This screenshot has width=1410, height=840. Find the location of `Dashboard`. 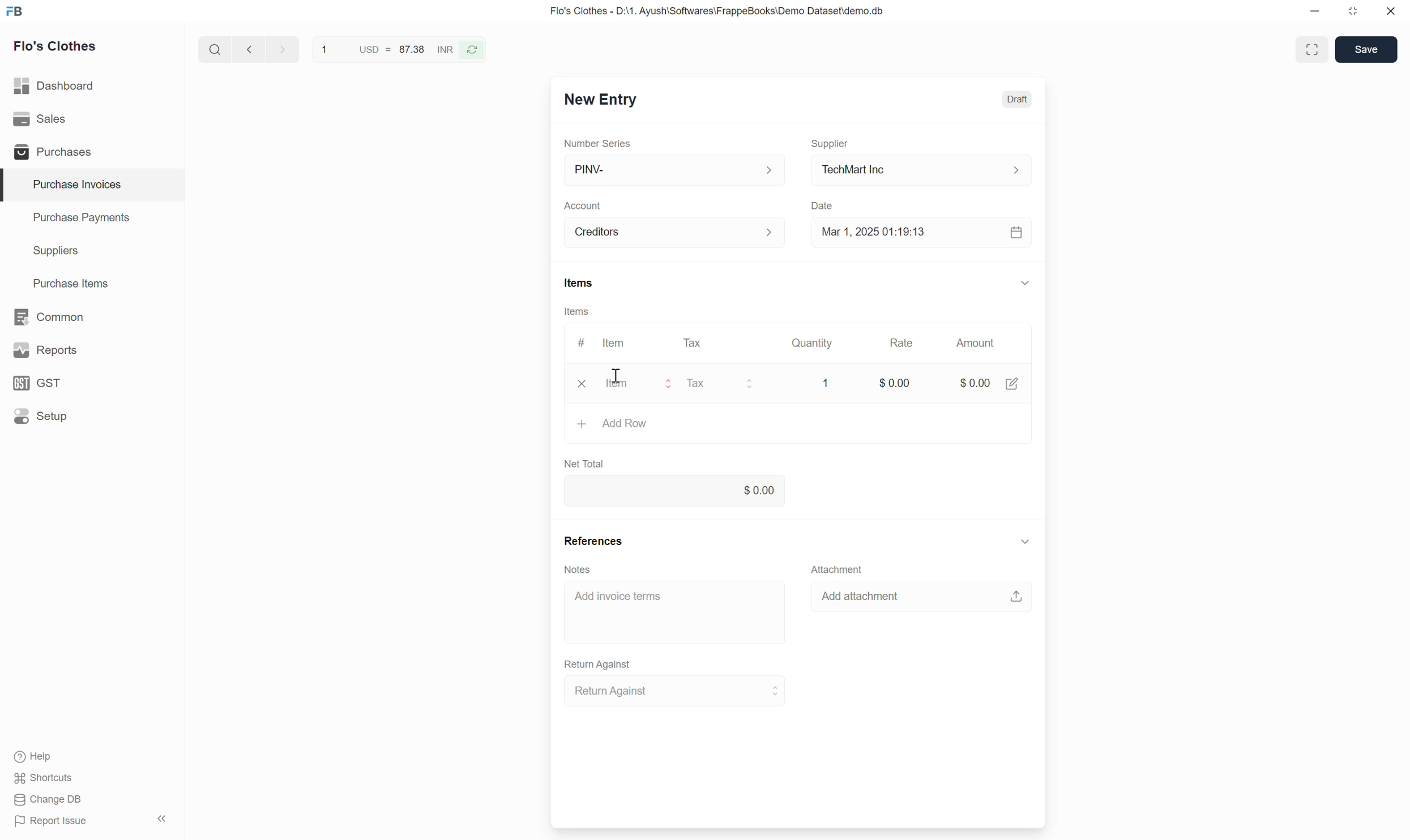

Dashboard is located at coordinates (55, 83).